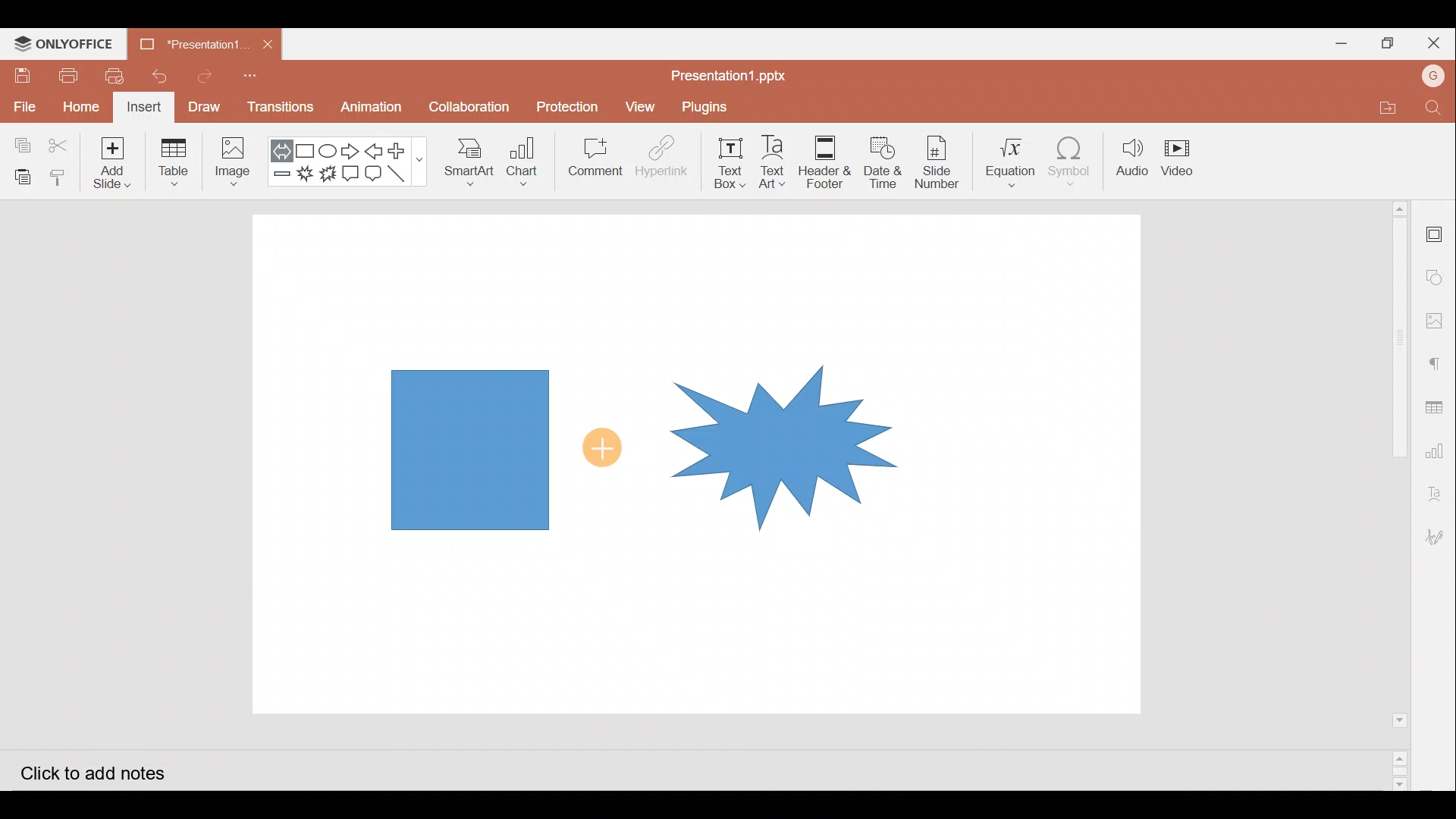 The height and width of the screenshot is (819, 1456). What do you see at coordinates (1393, 494) in the screenshot?
I see `Scroll bar` at bounding box center [1393, 494].